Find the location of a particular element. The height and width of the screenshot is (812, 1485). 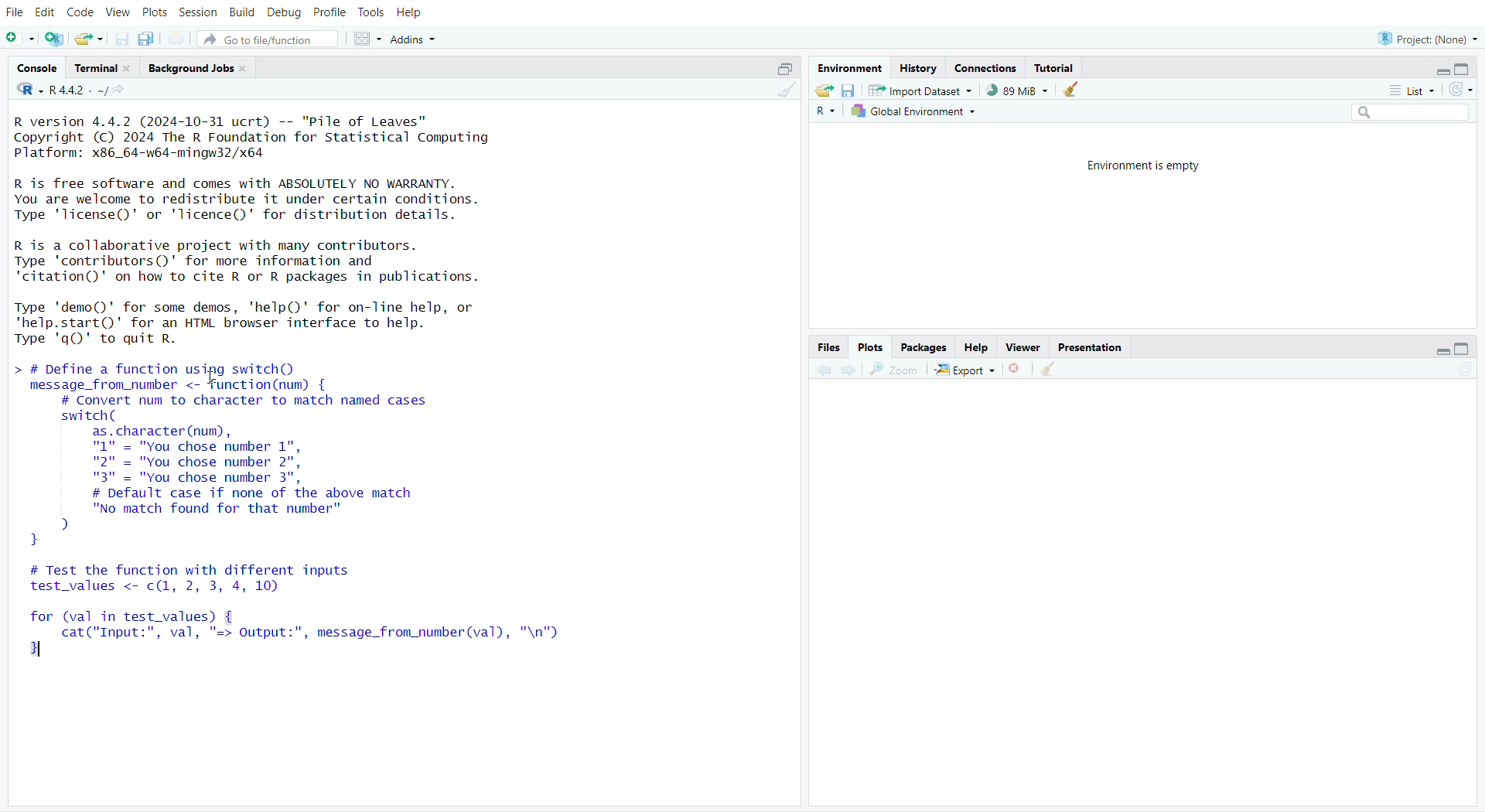

Global environment is located at coordinates (917, 112).